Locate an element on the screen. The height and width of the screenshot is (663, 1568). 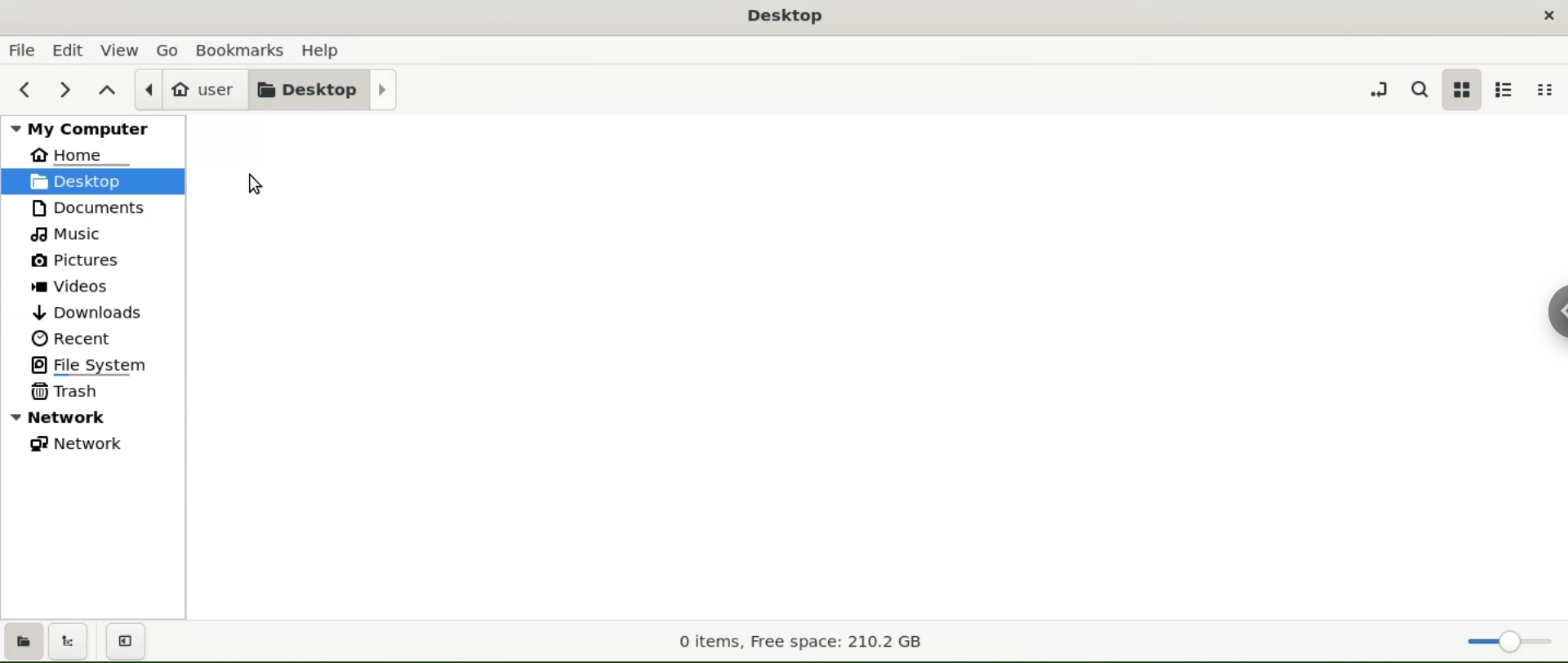
title is located at coordinates (786, 19).